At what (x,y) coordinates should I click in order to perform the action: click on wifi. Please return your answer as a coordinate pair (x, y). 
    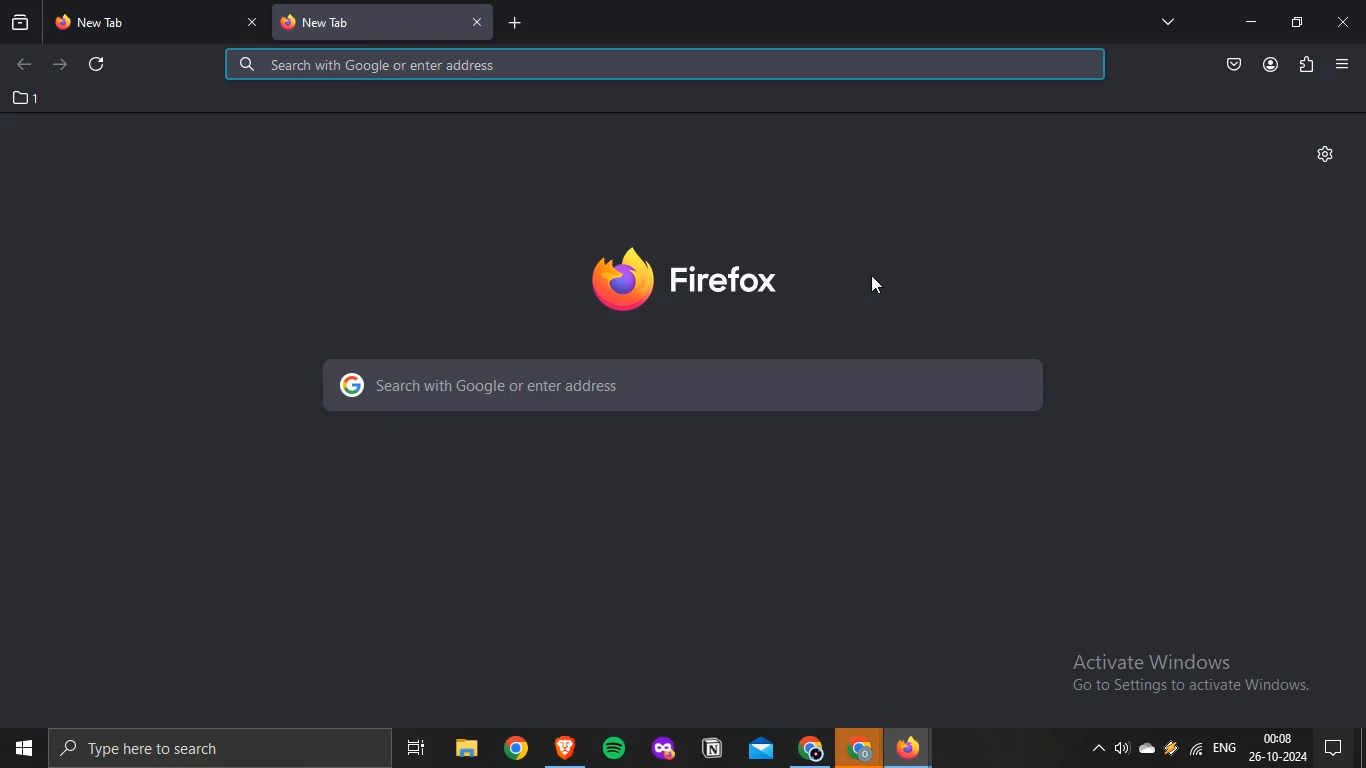
    Looking at the image, I should click on (1197, 752).